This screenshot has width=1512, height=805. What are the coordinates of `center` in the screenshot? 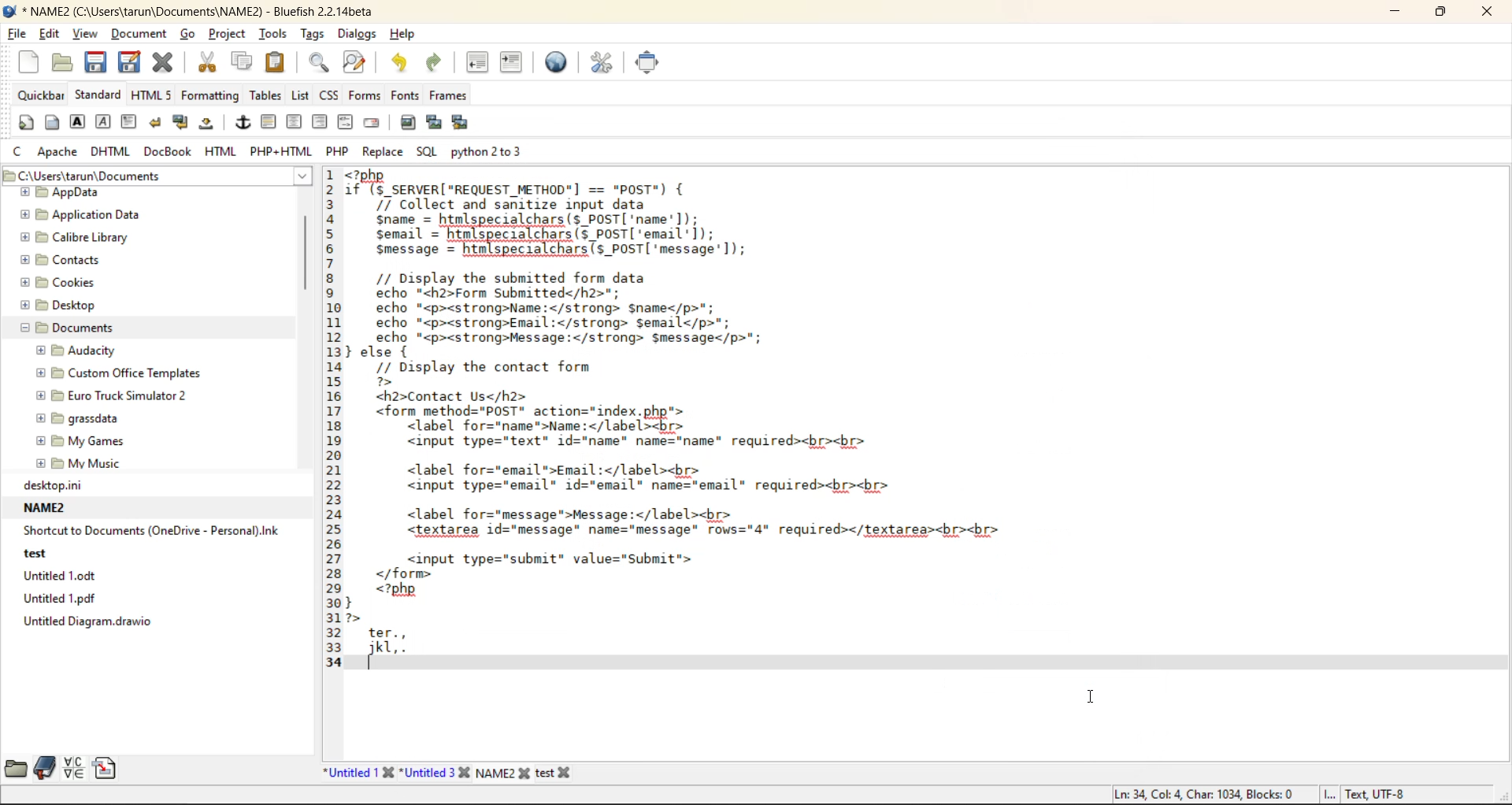 It's located at (292, 123).